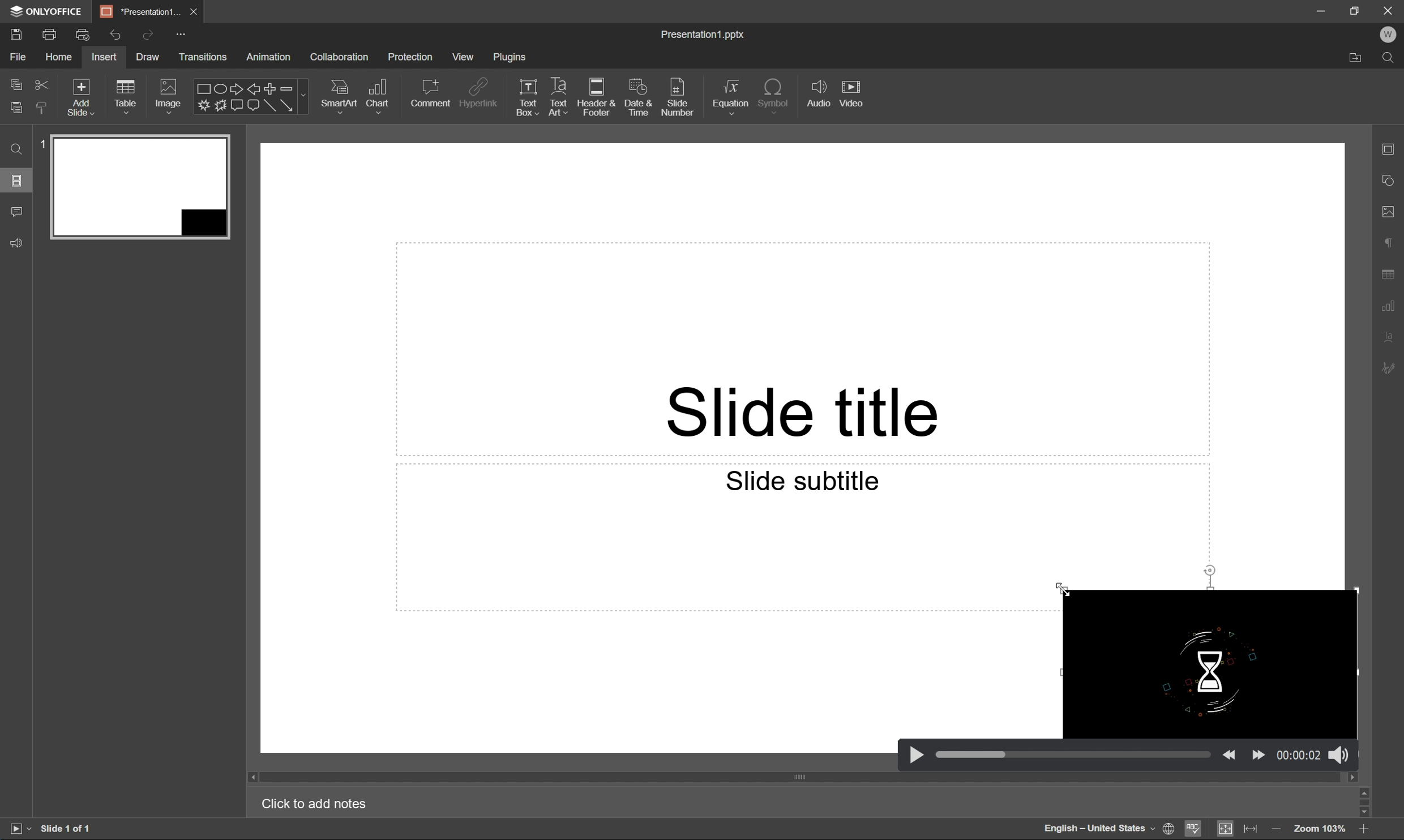 The height and width of the screenshot is (840, 1404). I want to click on move forward, so click(1259, 753).